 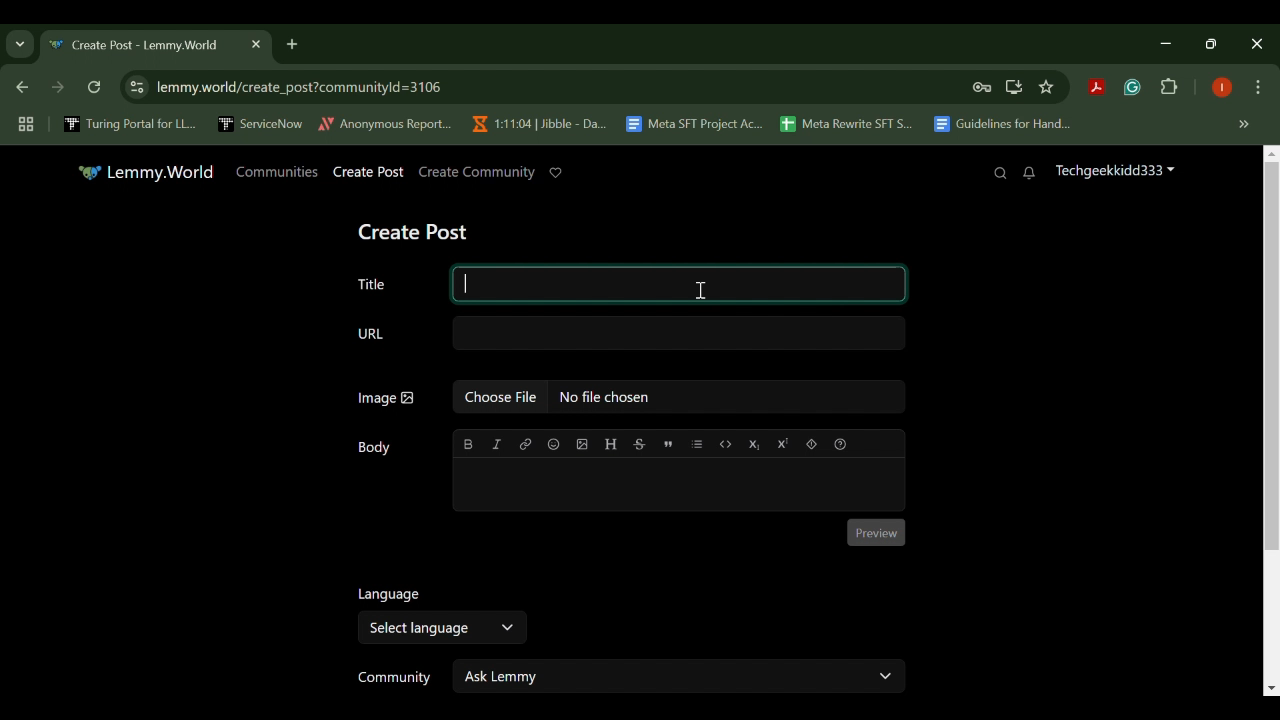 I want to click on Meta SFT Project Ac..., so click(x=693, y=125).